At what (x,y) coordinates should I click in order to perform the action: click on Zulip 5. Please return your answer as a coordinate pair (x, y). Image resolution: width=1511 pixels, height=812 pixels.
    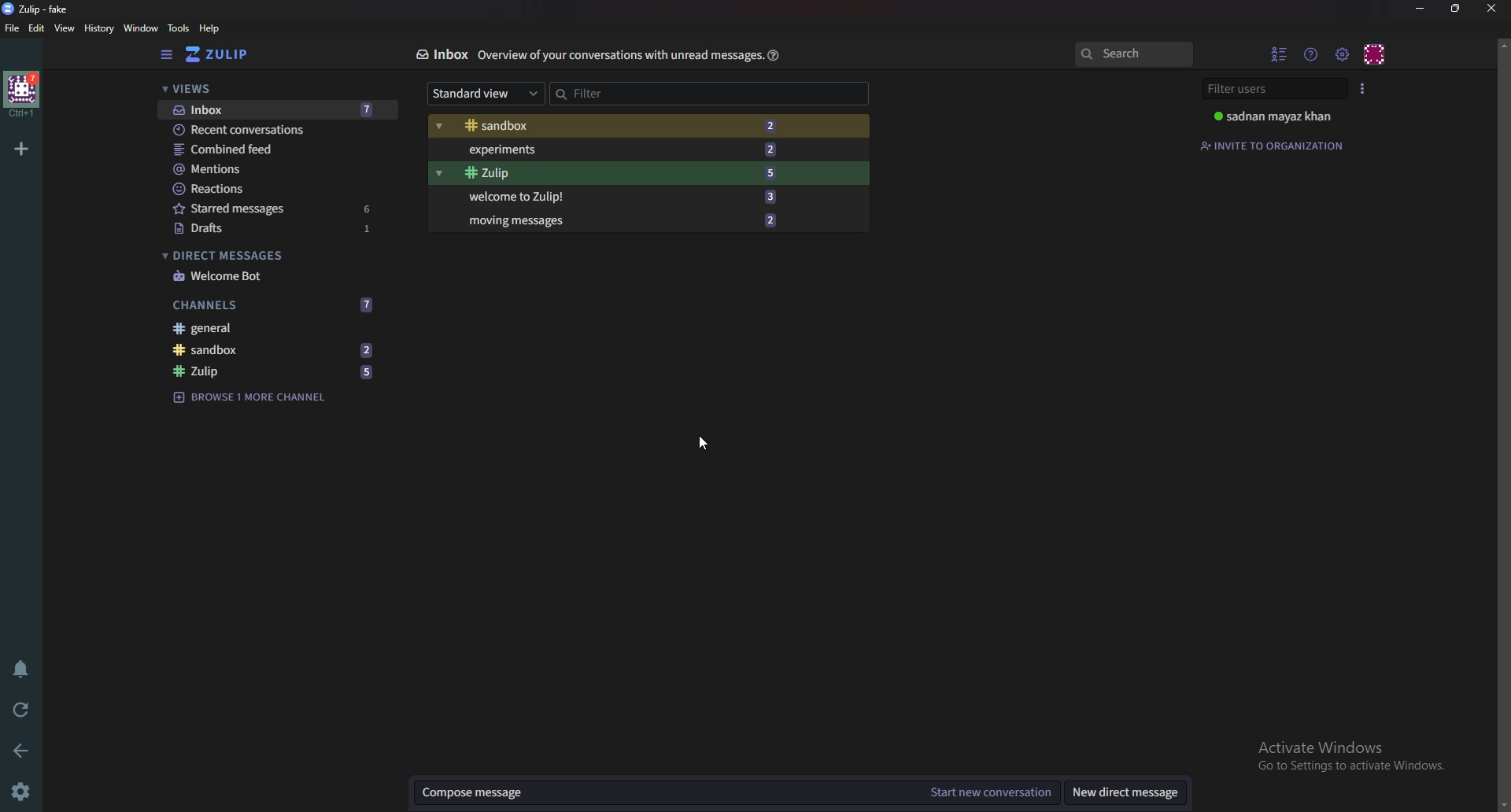
    Looking at the image, I should click on (278, 370).